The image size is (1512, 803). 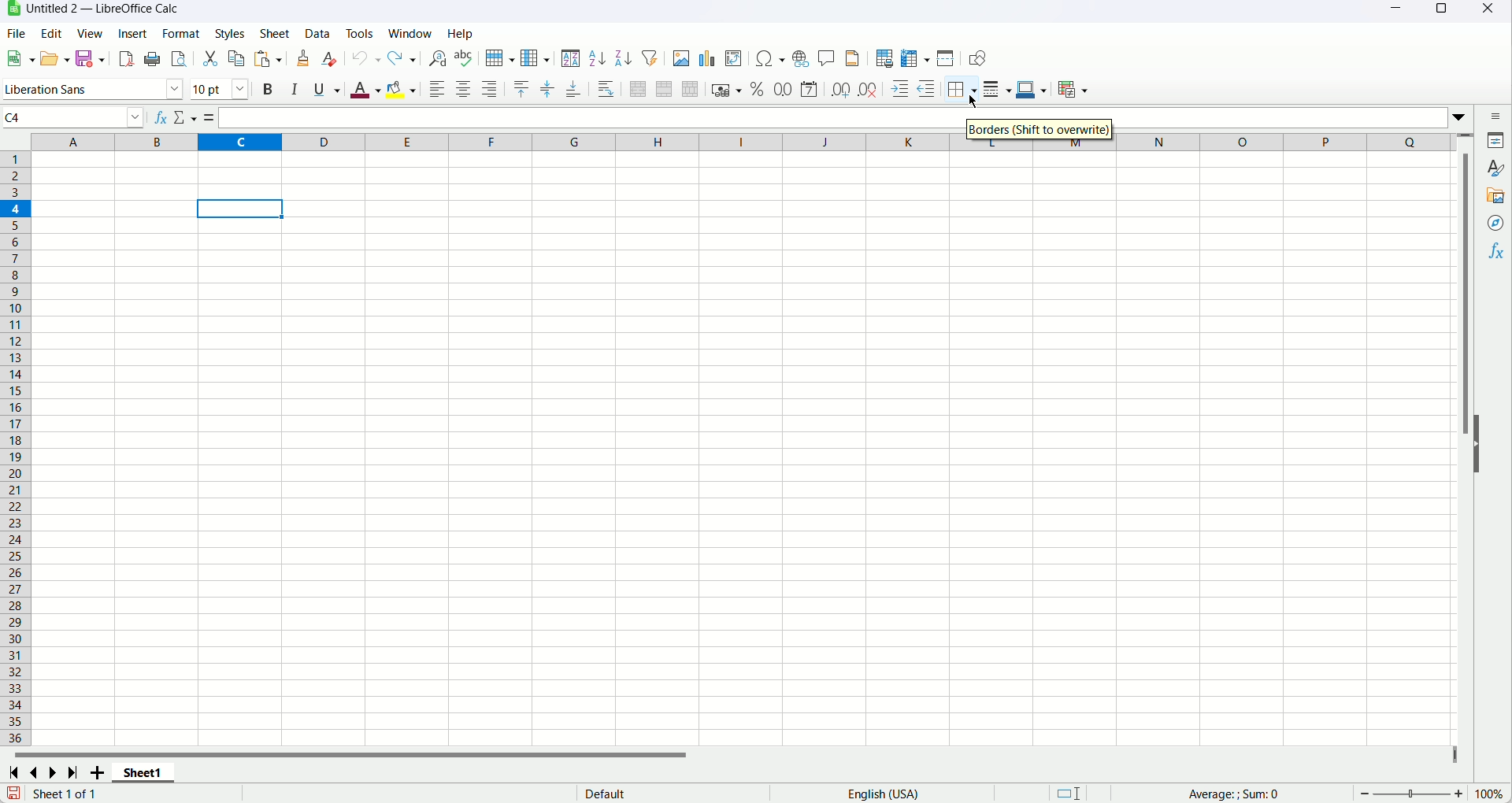 What do you see at coordinates (365, 91) in the screenshot?
I see `Font color` at bounding box center [365, 91].